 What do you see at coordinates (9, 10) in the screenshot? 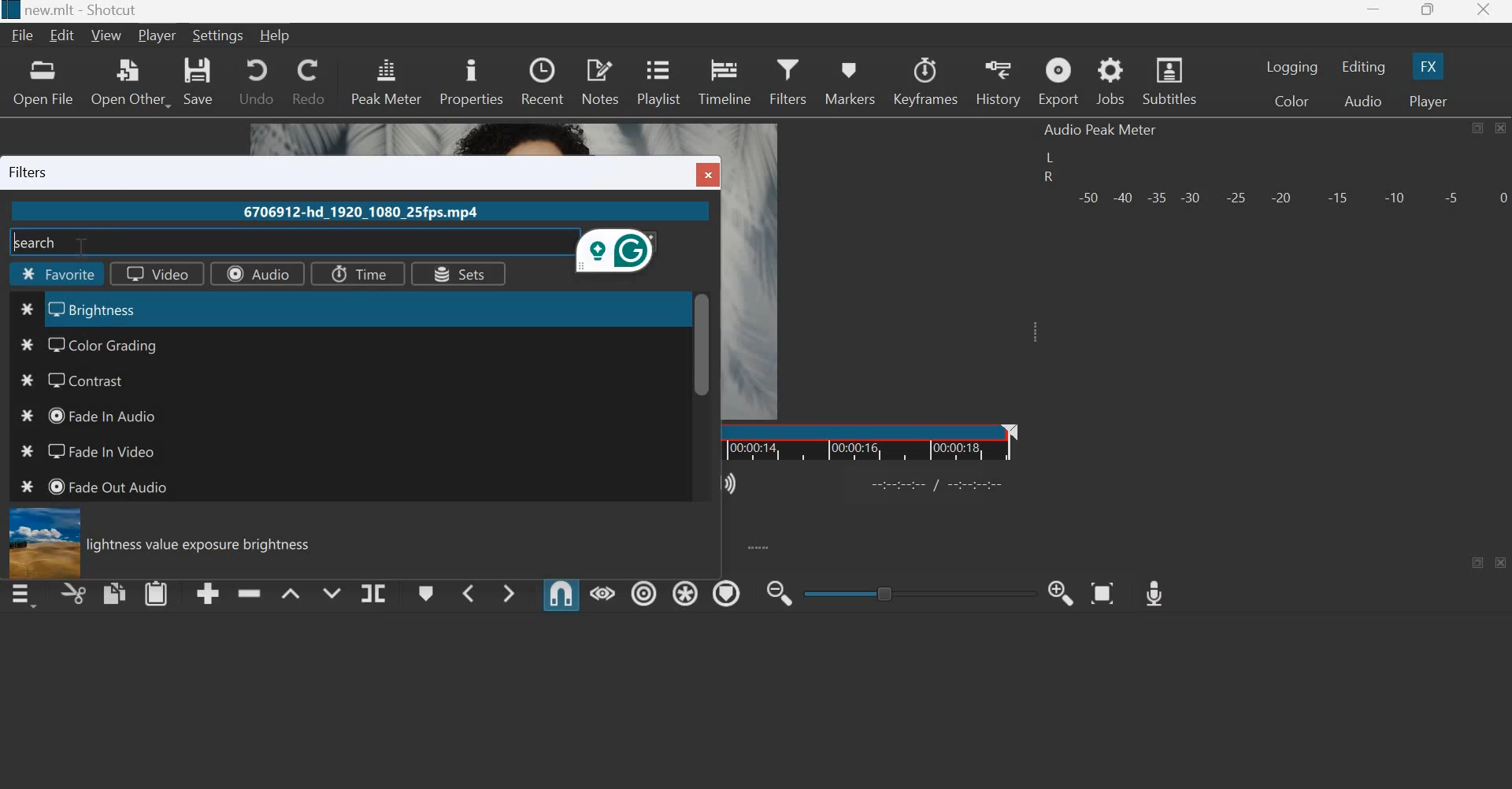
I see `` at bounding box center [9, 10].